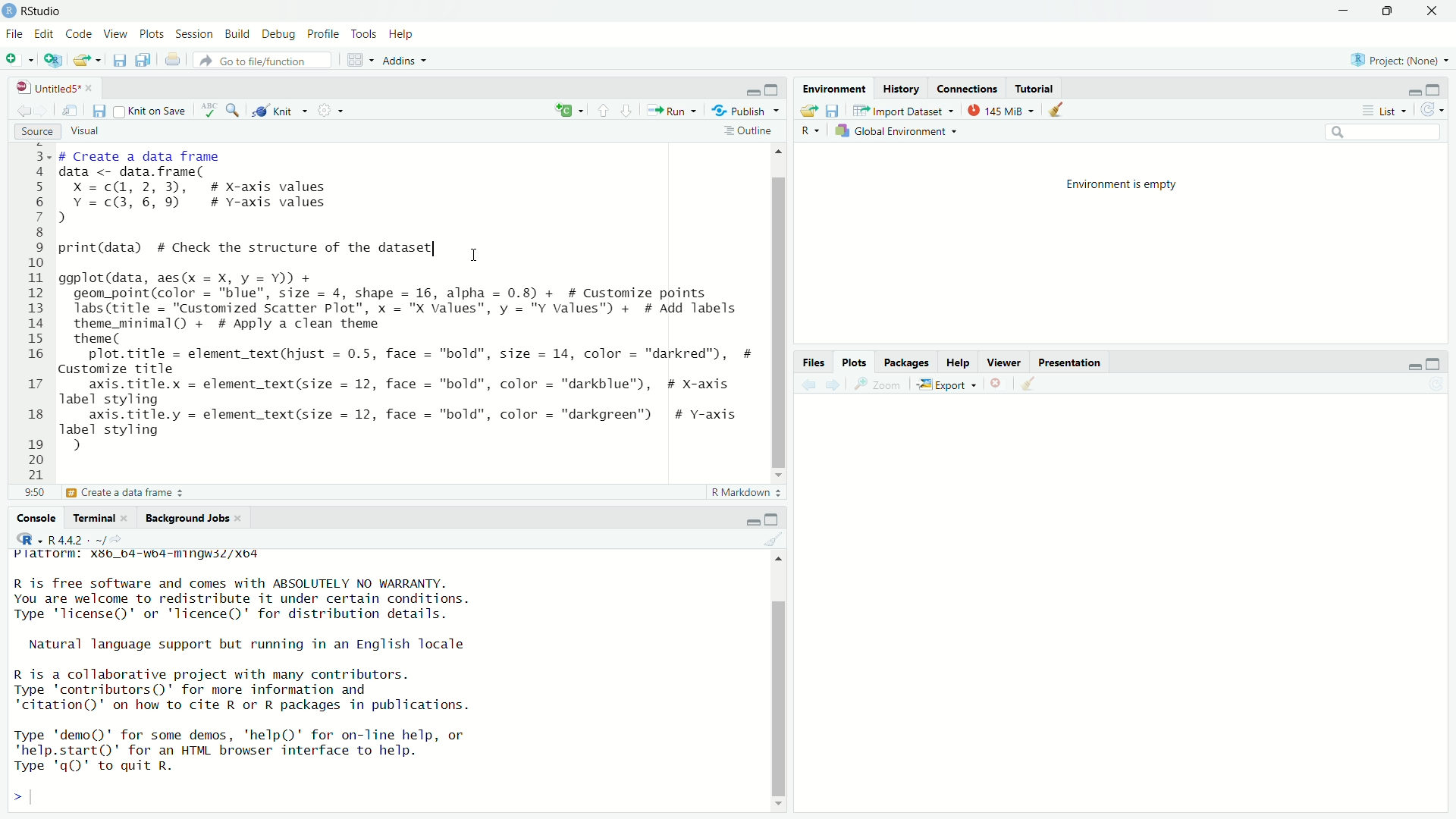  What do you see at coordinates (1382, 131) in the screenshot?
I see `Search` at bounding box center [1382, 131].